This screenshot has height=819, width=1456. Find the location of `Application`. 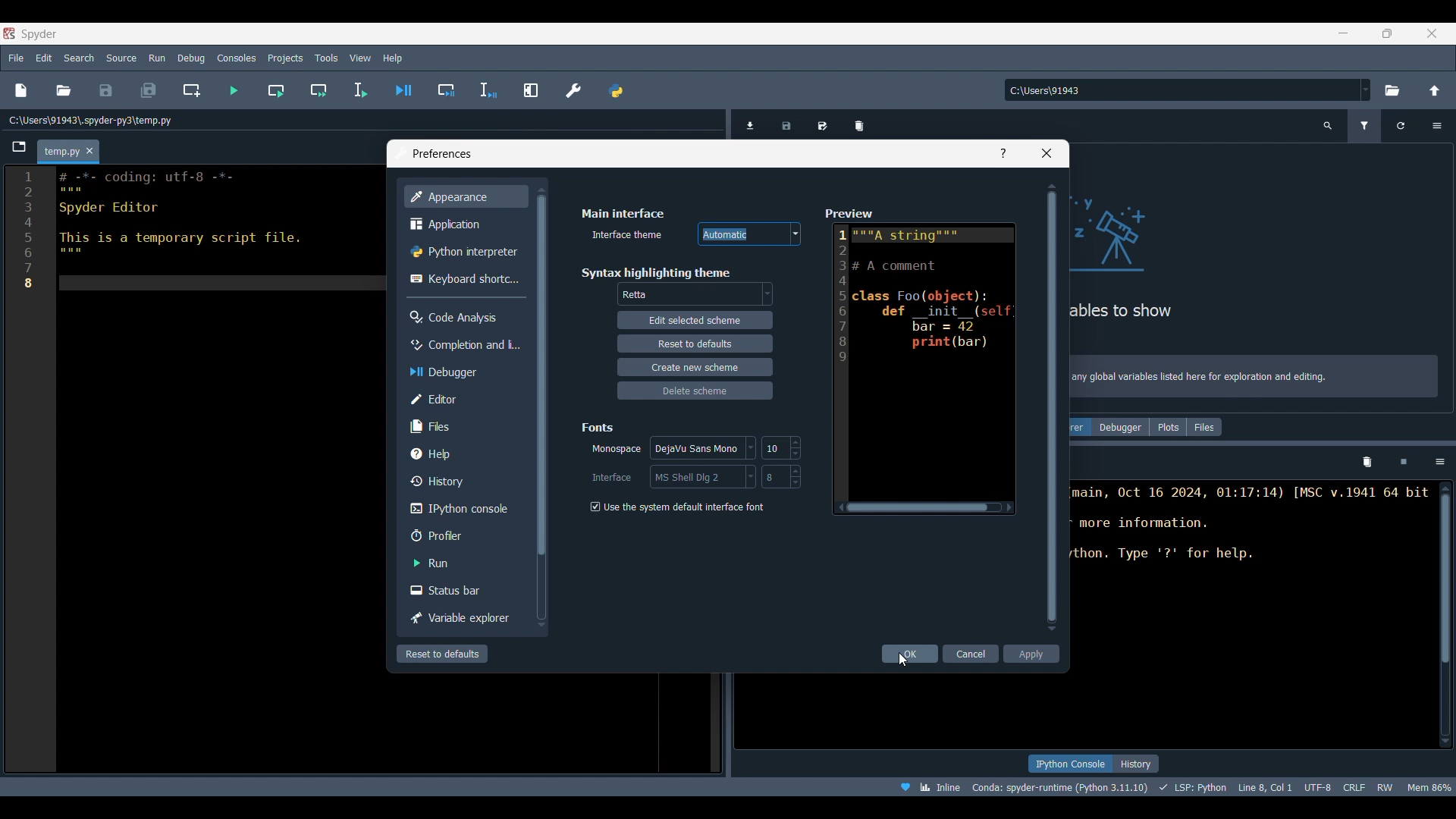

Application is located at coordinates (463, 224).